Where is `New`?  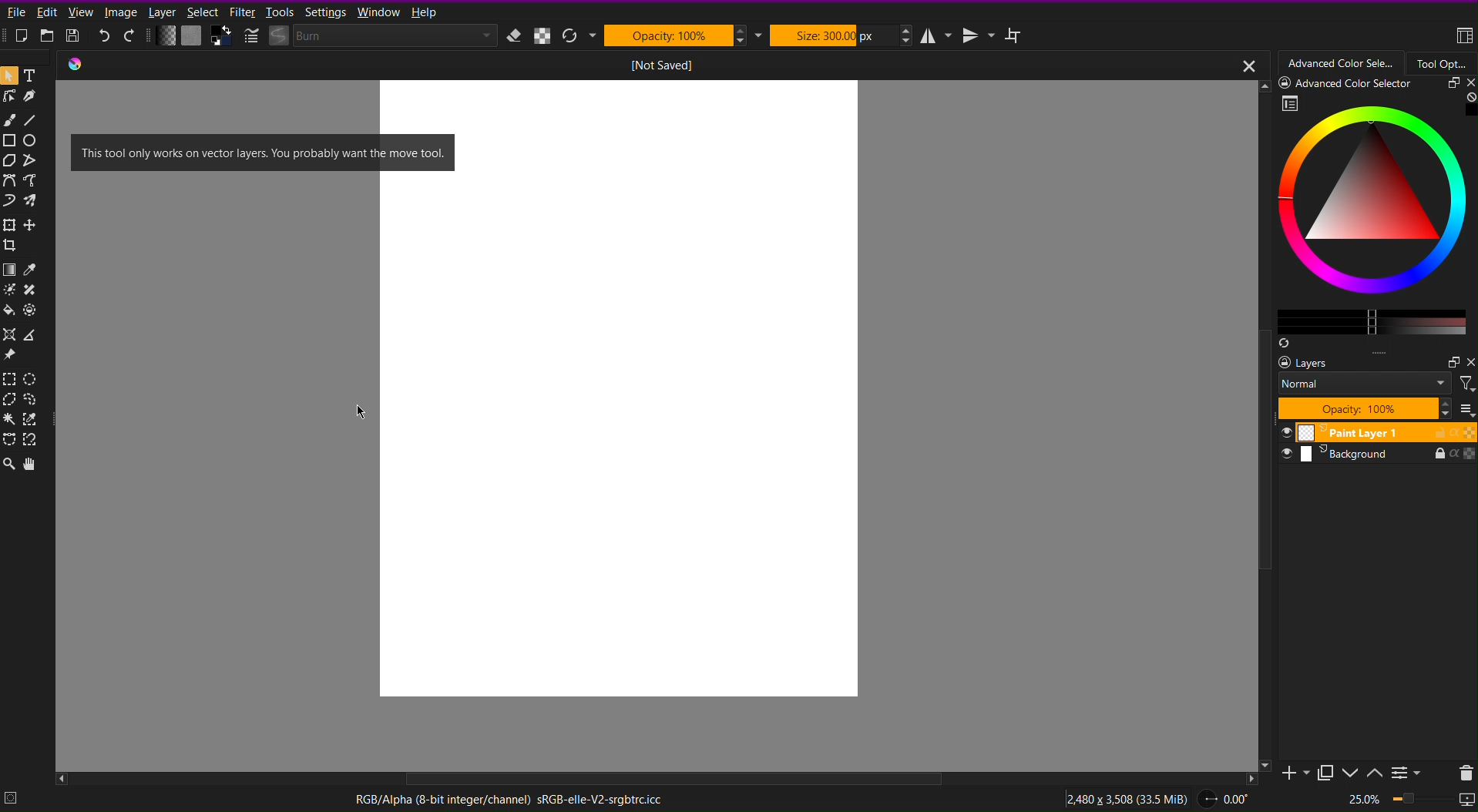 New is located at coordinates (23, 36).